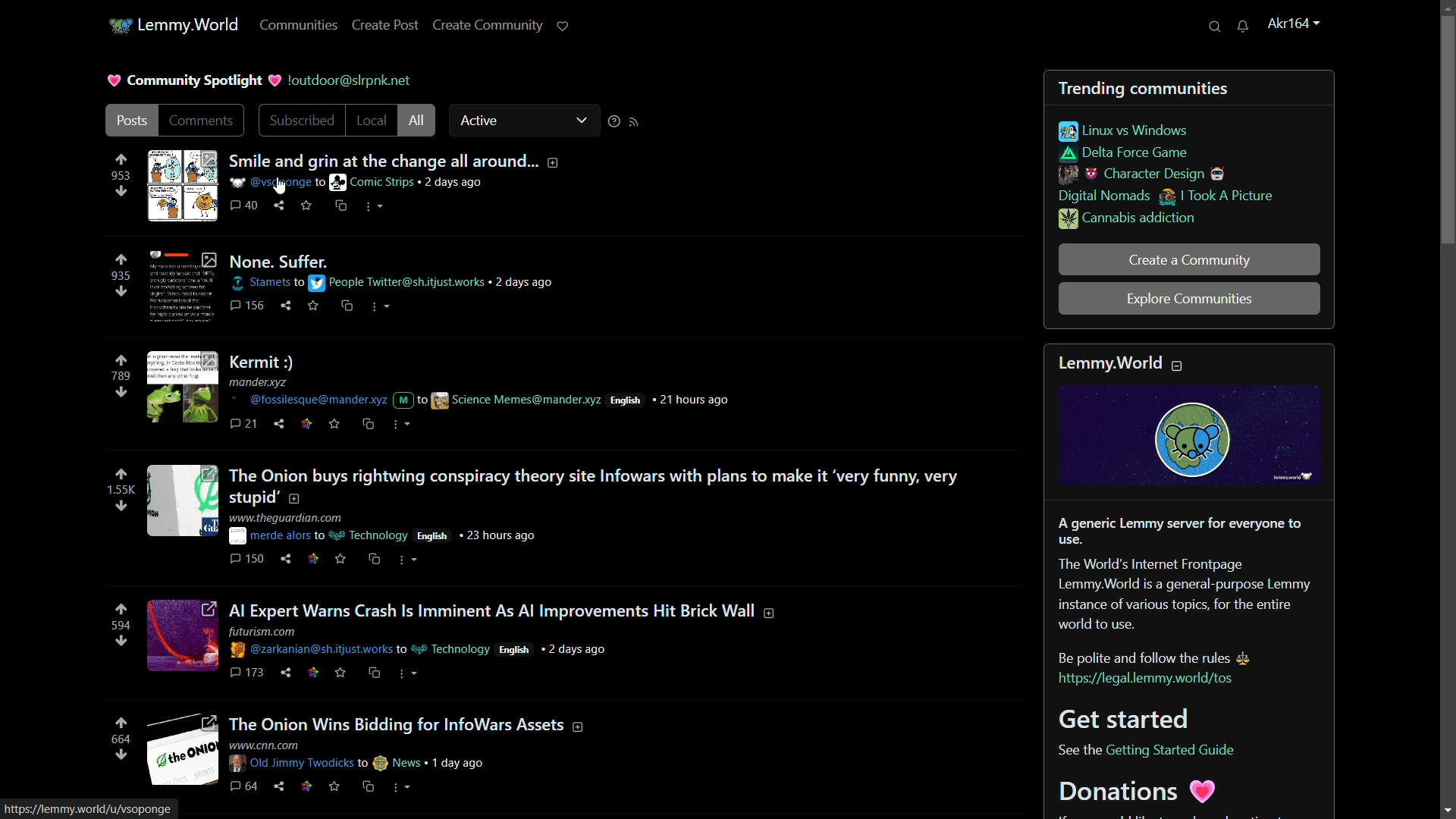 Image resolution: width=1456 pixels, height=819 pixels. What do you see at coordinates (341, 206) in the screenshot?
I see `cross share` at bounding box center [341, 206].